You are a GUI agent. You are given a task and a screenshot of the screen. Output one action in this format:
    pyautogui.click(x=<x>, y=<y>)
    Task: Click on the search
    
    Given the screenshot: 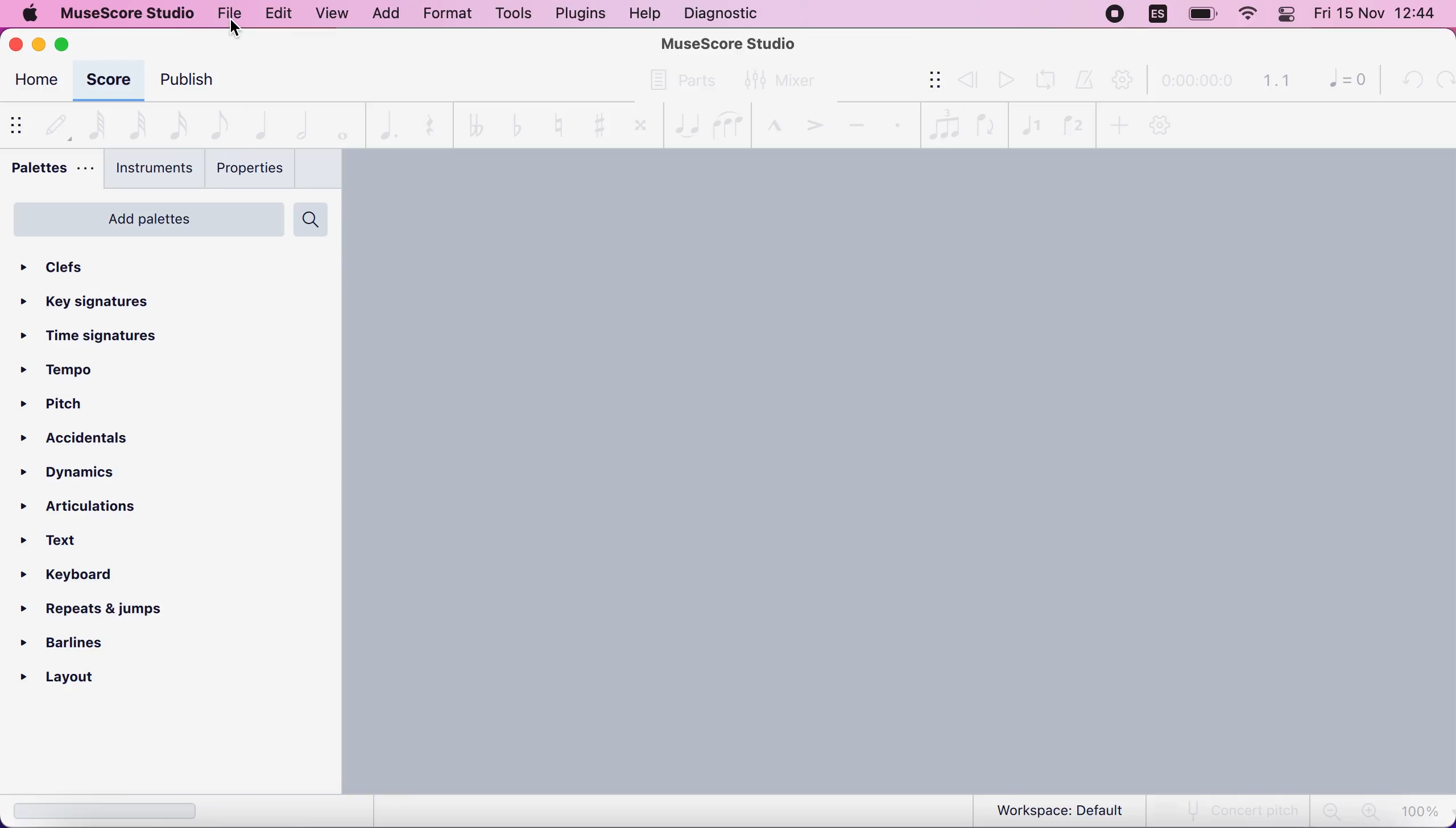 What is the action you would take?
    pyautogui.click(x=316, y=217)
    